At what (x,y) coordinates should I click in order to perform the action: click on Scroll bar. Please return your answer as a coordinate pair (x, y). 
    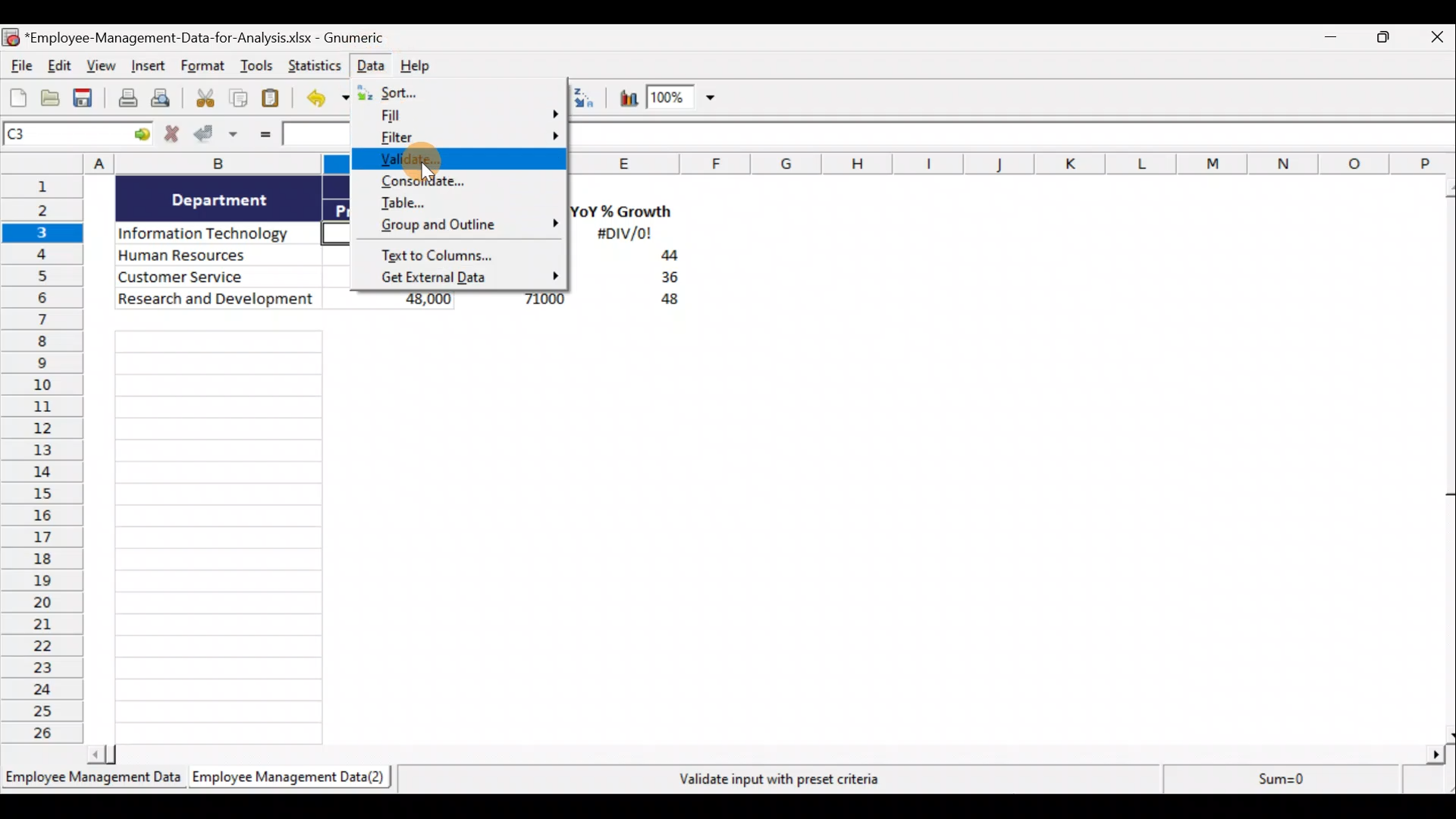
    Looking at the image, I should click on (1443, 457).